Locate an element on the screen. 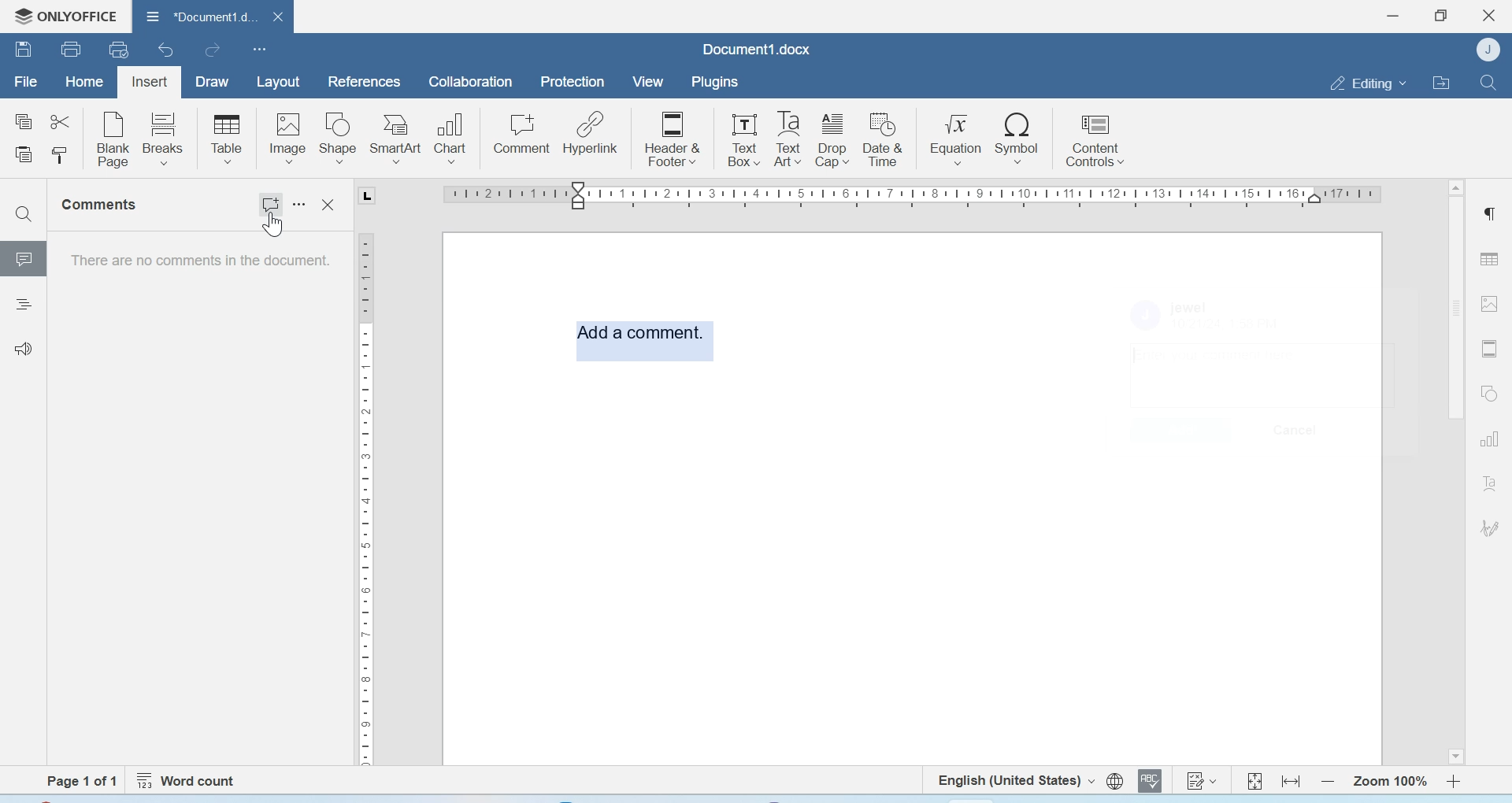  More is located at coordinates (302, 205).